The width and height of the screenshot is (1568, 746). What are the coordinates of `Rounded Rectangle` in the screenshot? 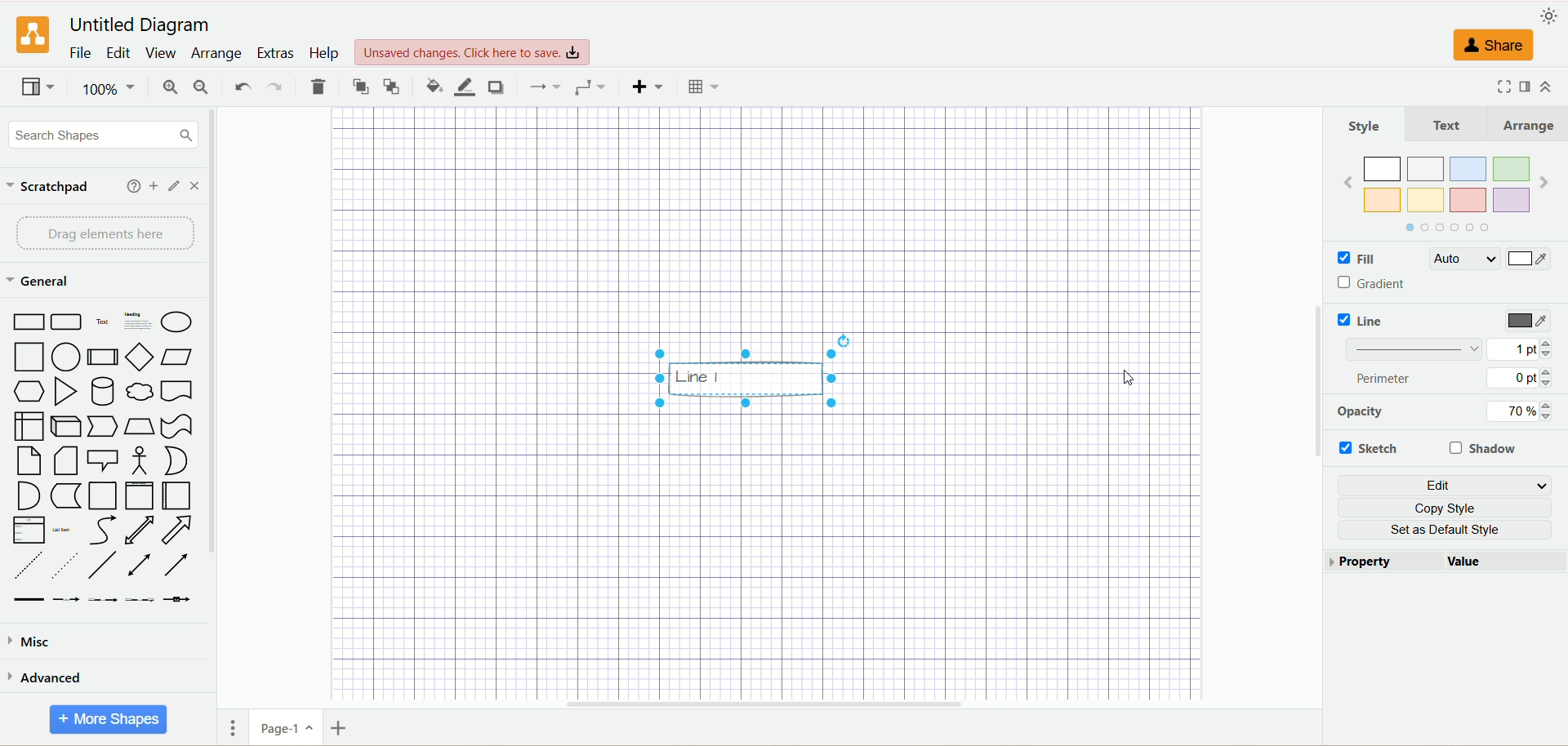 It's located at (69, 322).